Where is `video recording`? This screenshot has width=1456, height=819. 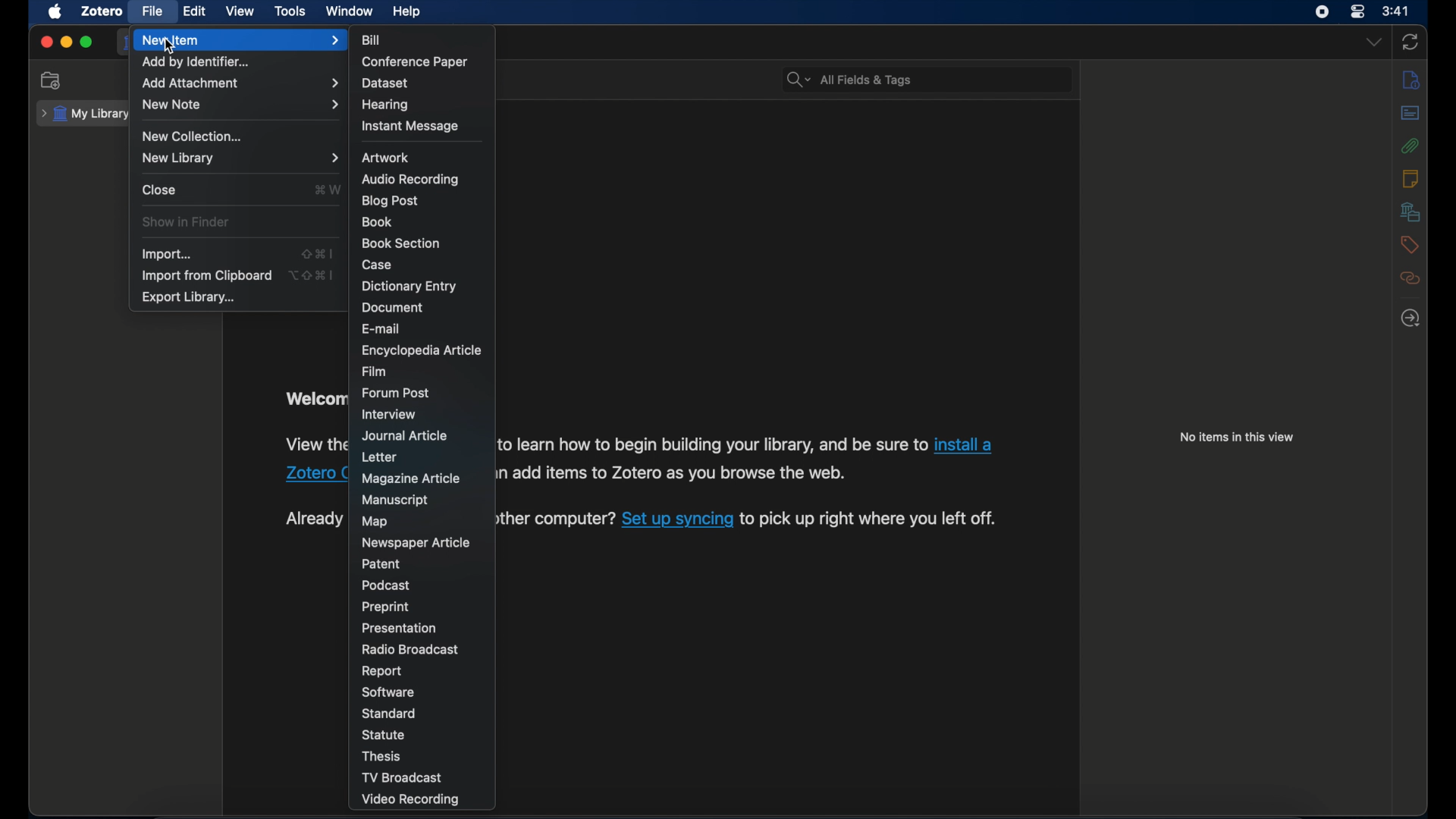
video recording is located at coordinates (413, 801).